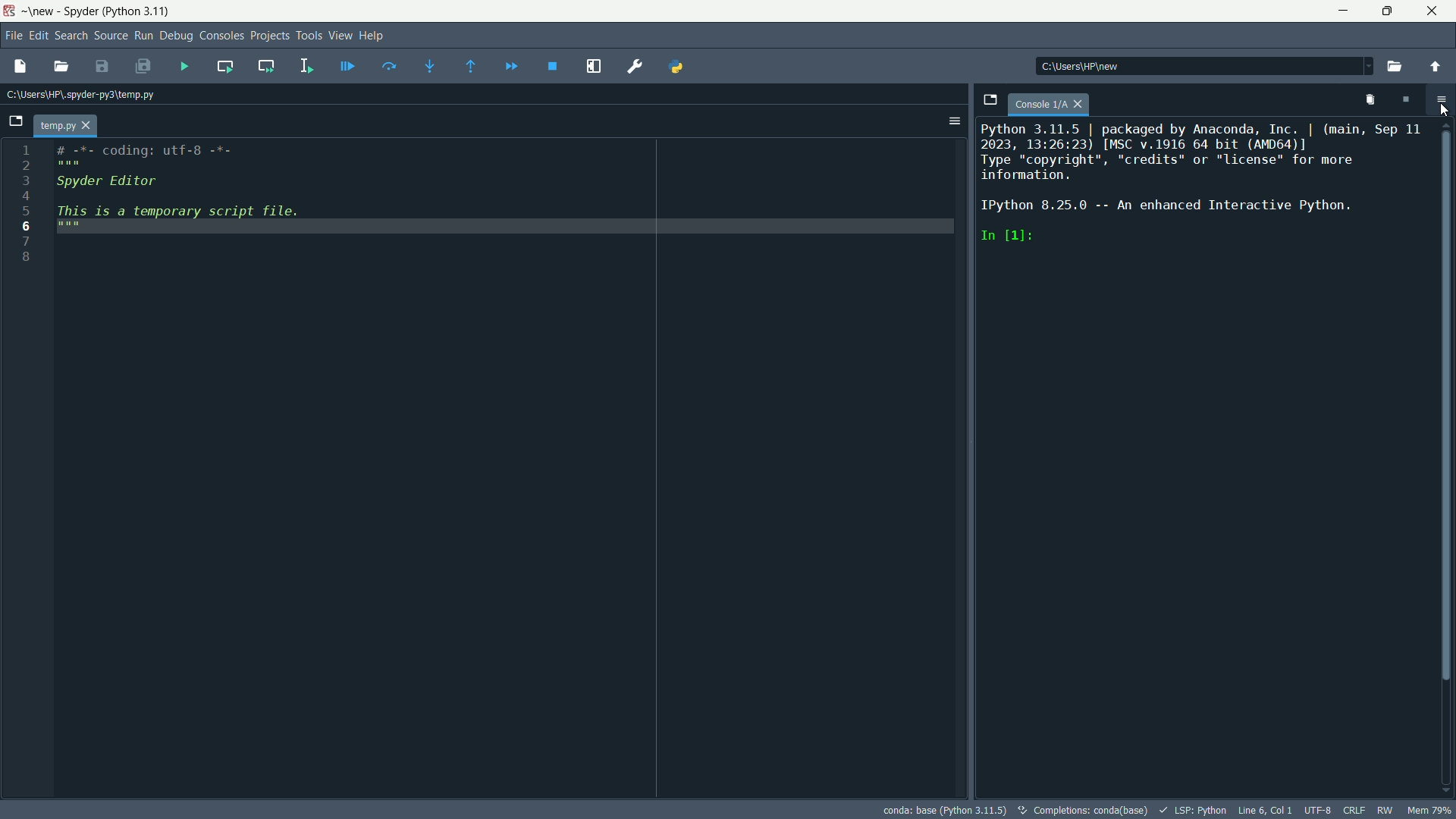 The image size is (1456, 819). Describe the element at coordinates (473, 68) in the screenshot. I see `execute until method or funtion returns` at that location.